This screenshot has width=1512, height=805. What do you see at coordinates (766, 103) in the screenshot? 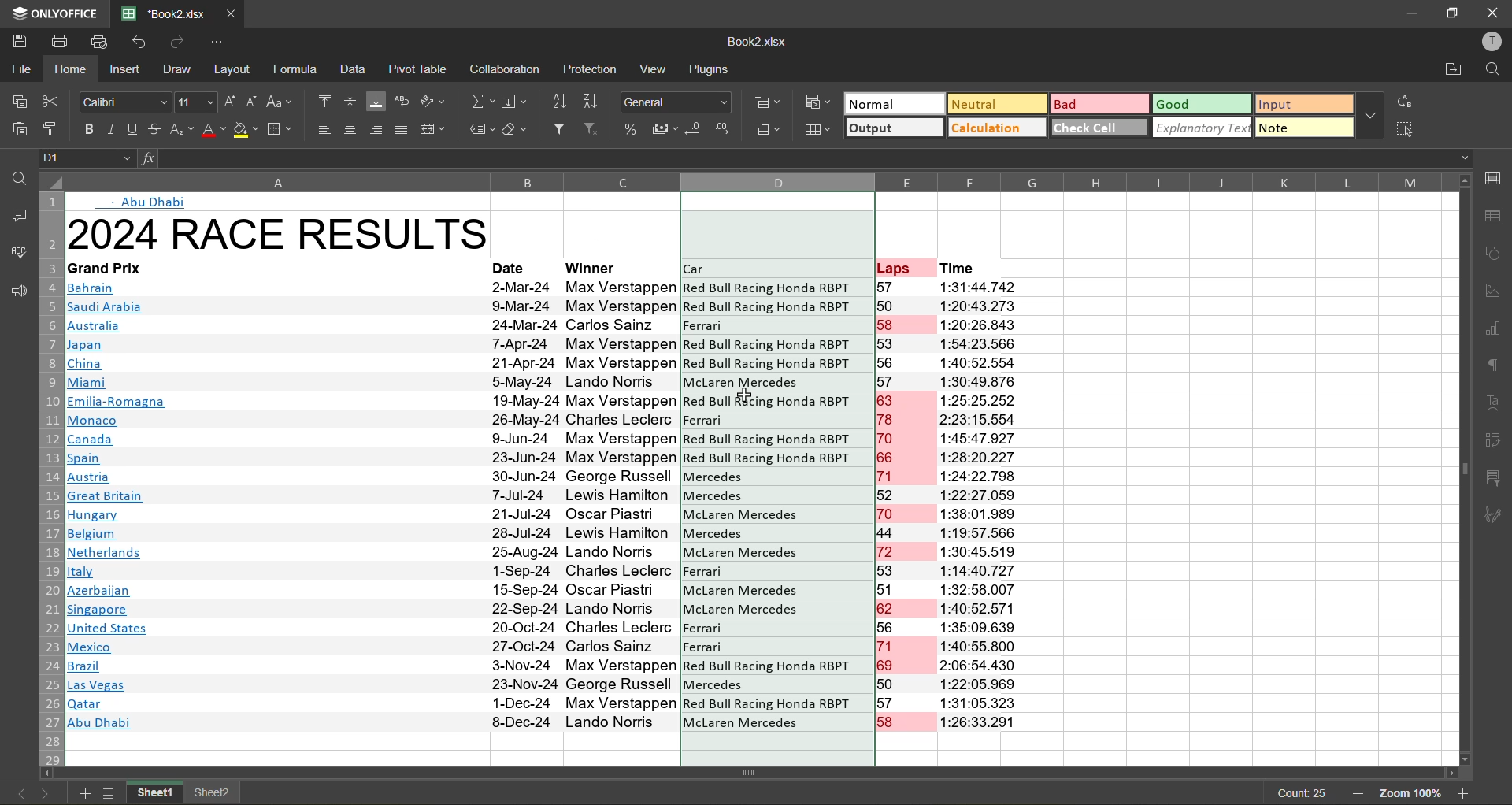
I see `insert cells` at bounding box center [766, 103].